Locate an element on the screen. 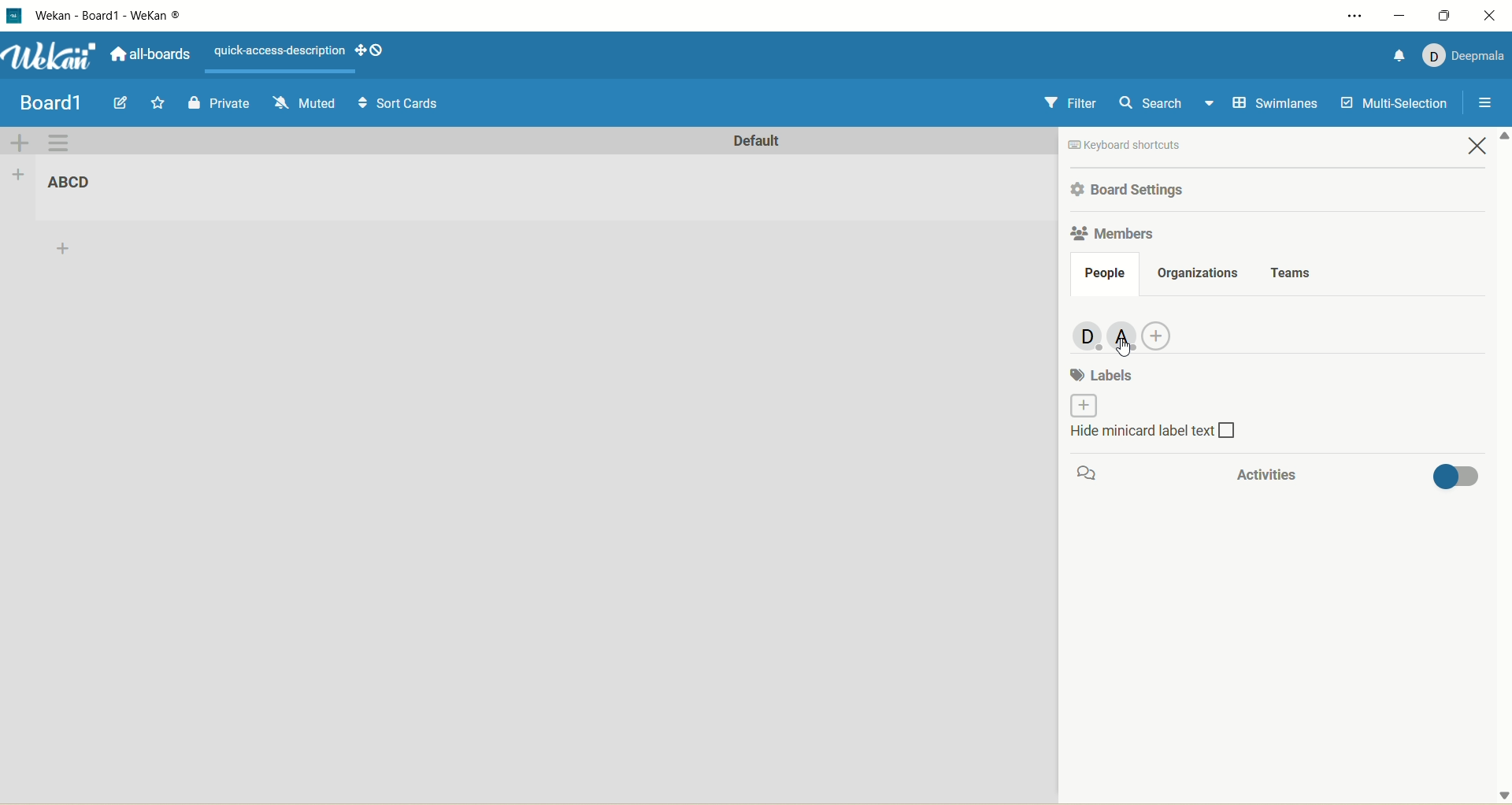 This screenshot has height=805, width=1512. setting and more is located at coordinates (1348, 13).